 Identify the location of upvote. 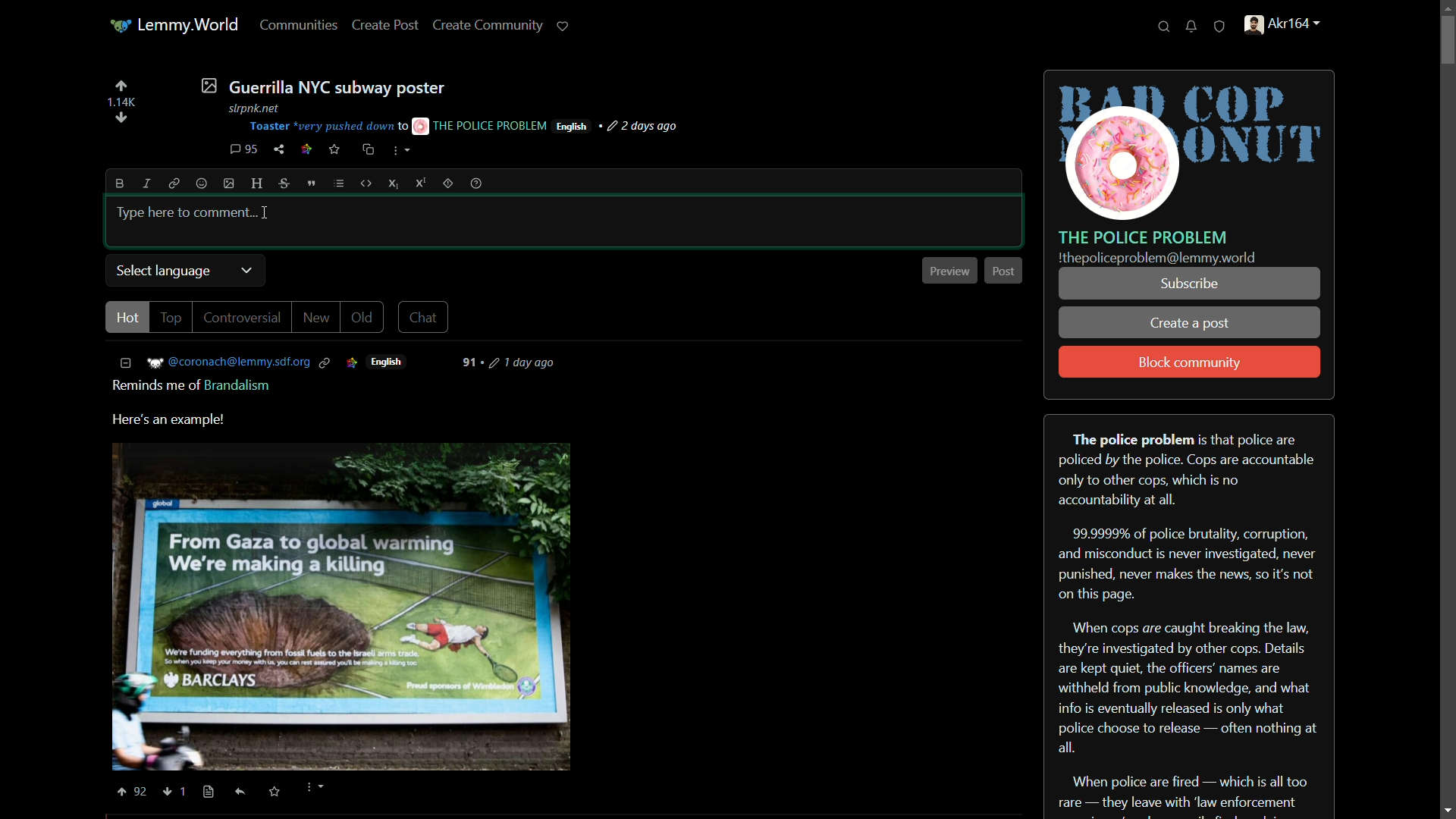
(130, 792).